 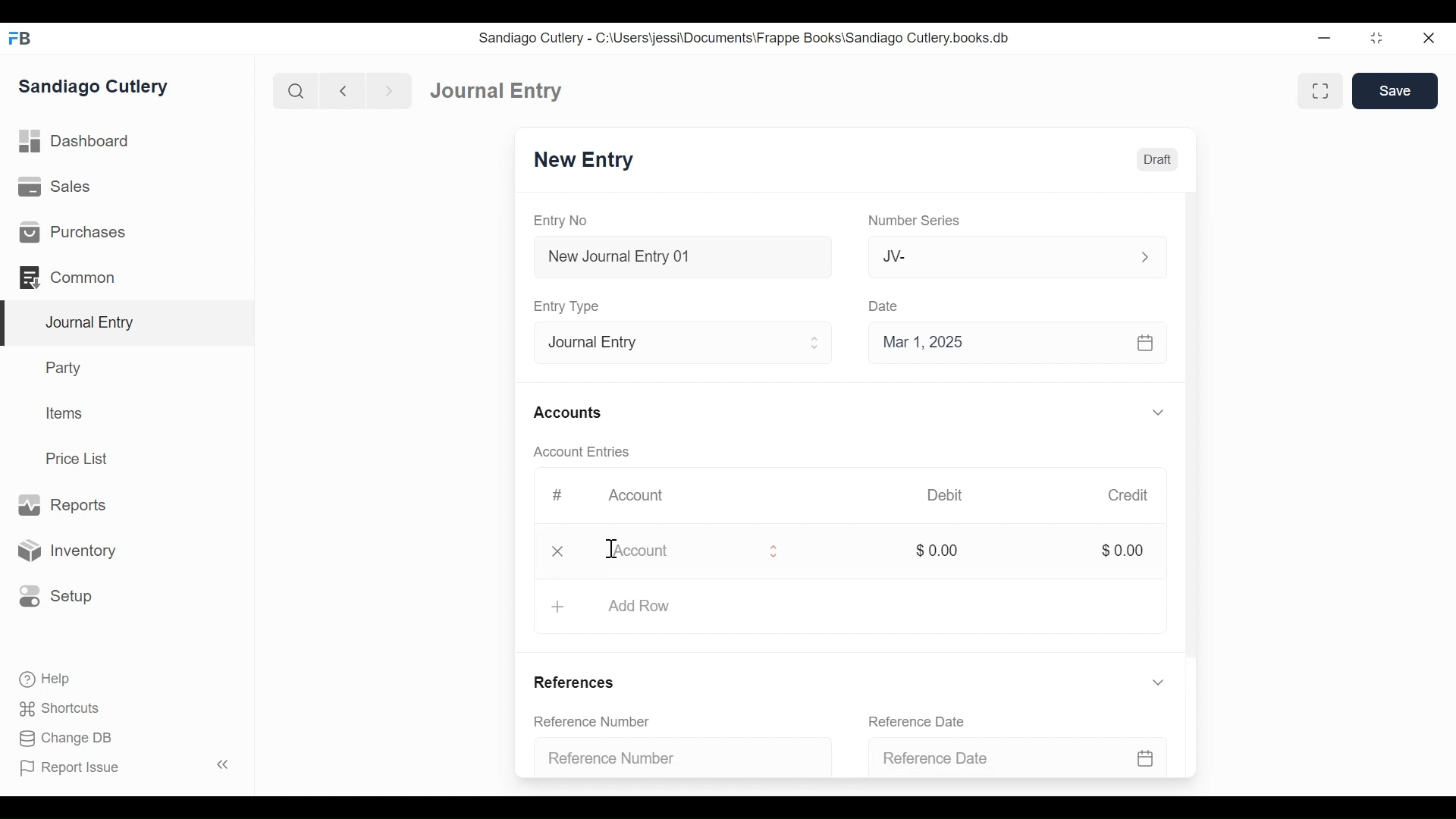 I want to click on Sandiago Cutlery - C:\Users\jessi\Documents\Frappe Books\Sandiago Cutlery.books.db, so click(x=748, y=37).